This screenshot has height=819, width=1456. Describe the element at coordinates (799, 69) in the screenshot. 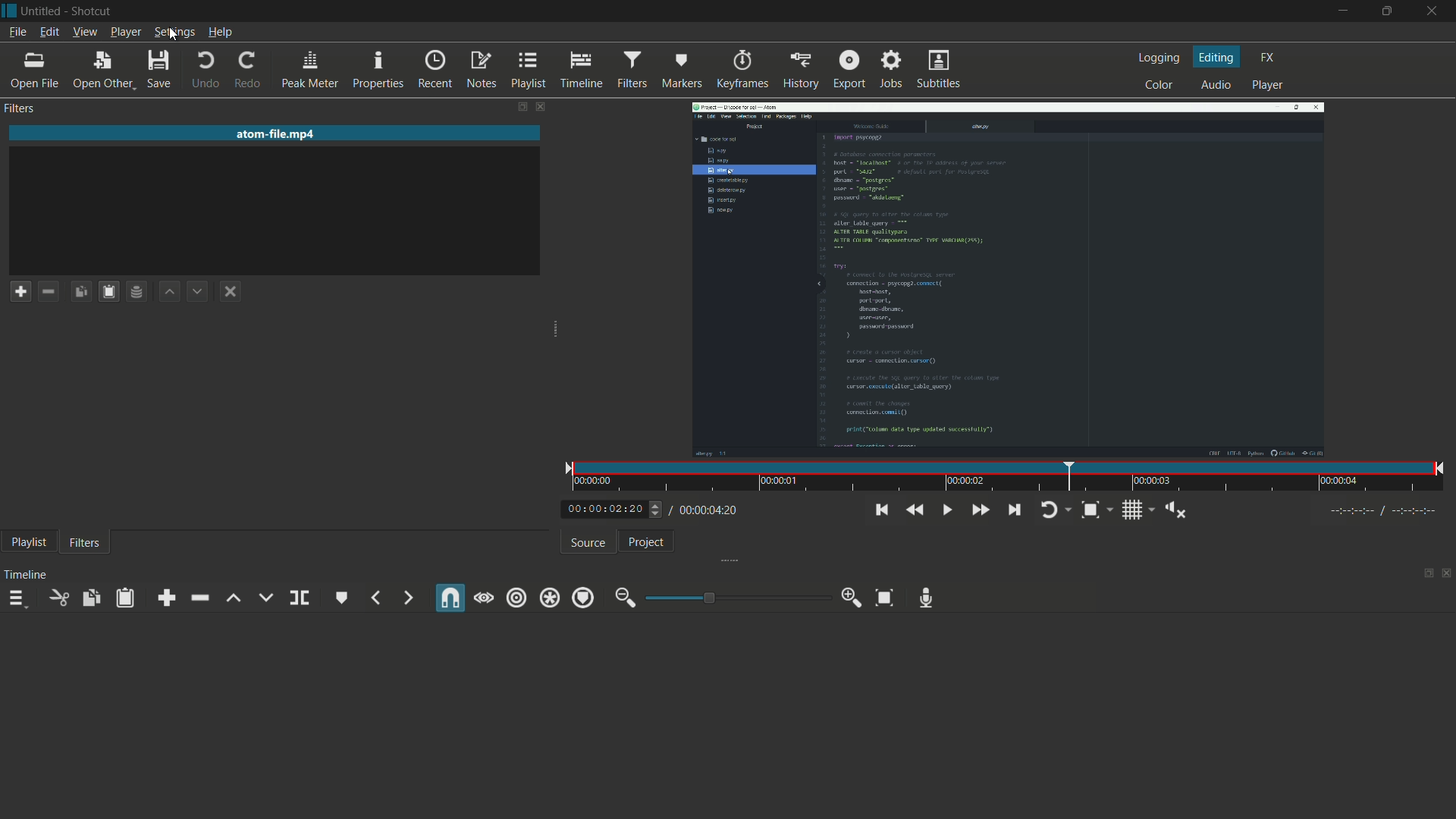

I see `history` at that location.